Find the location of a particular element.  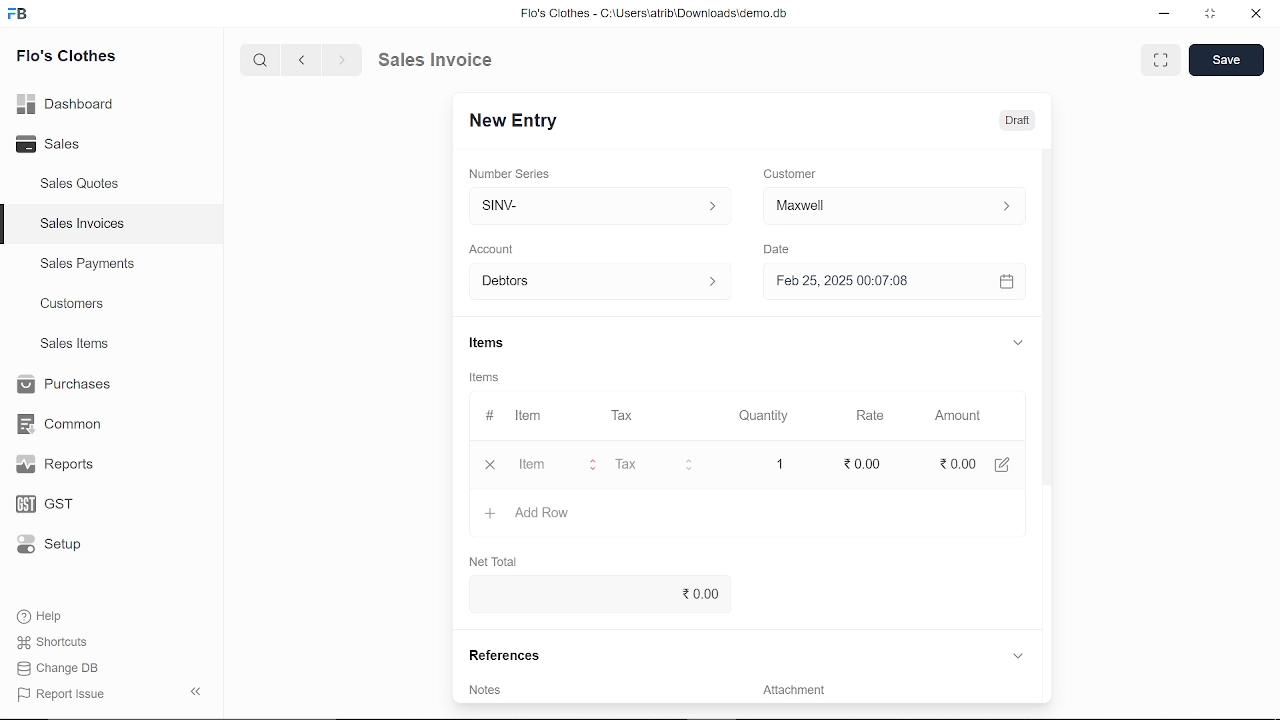

Amount is located at coordinates (957, 417).